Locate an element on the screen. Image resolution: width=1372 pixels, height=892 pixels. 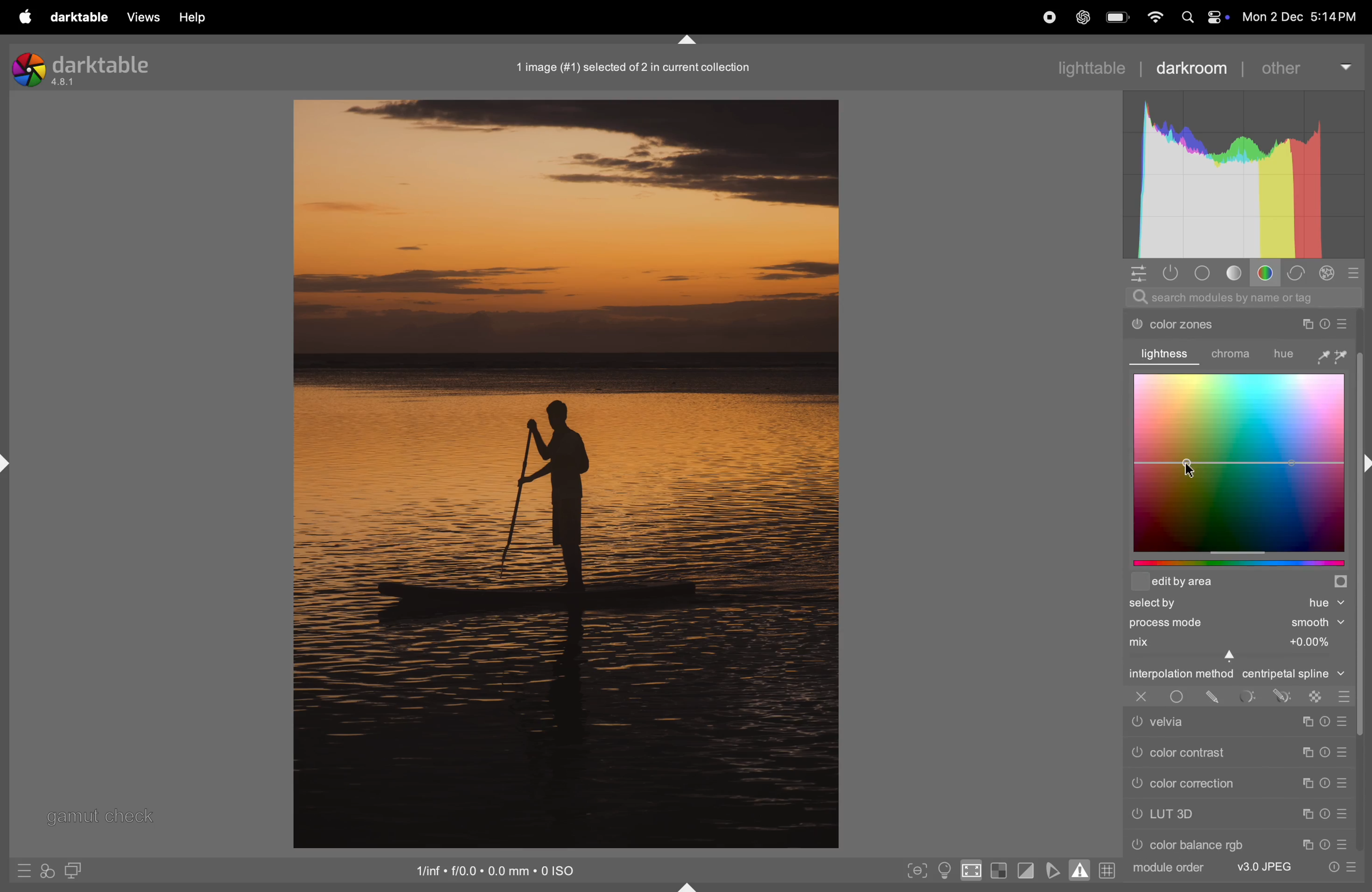
darktable is located at coordinates (88, 71).